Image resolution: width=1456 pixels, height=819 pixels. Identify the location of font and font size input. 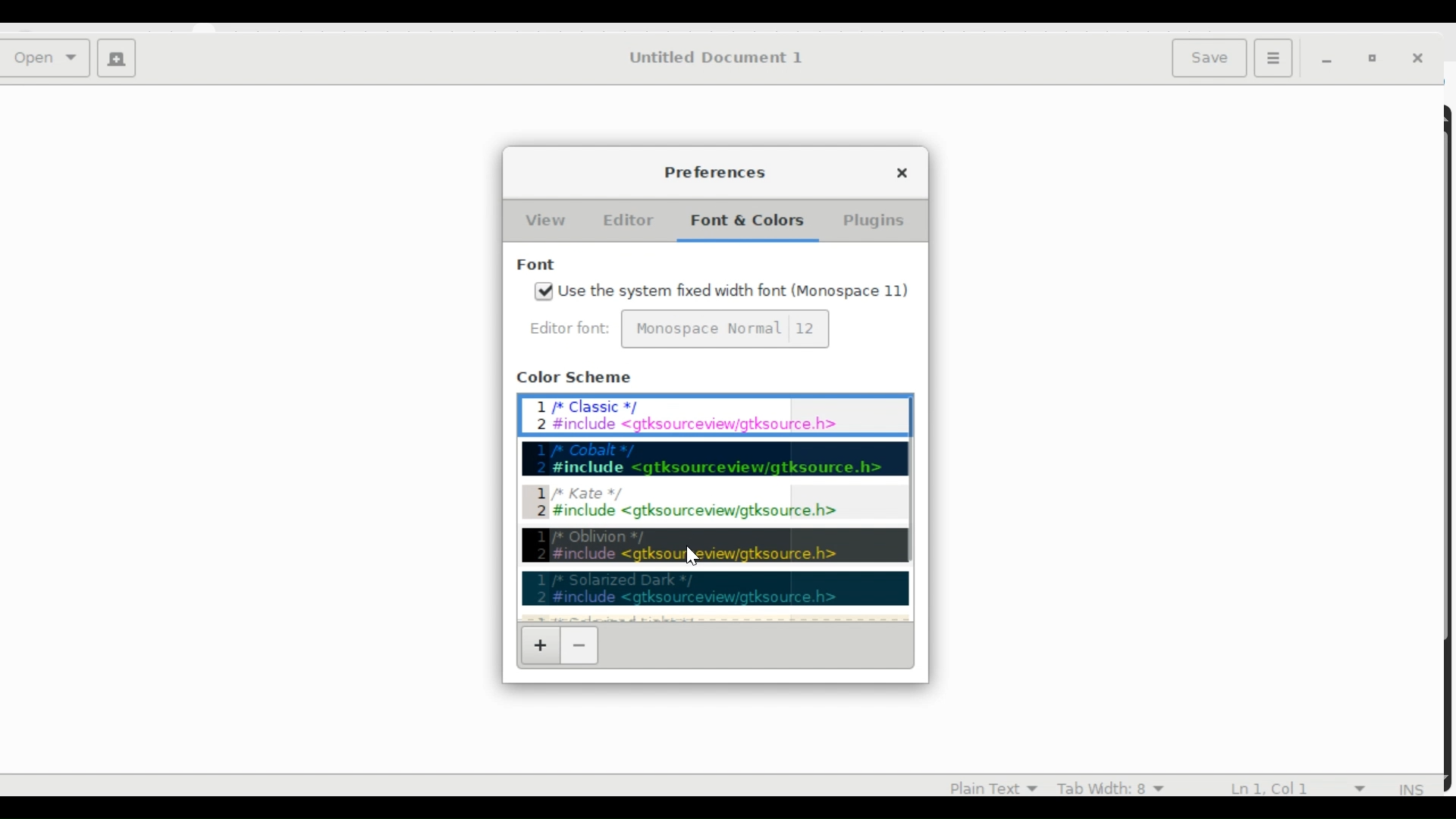
(725, 329).